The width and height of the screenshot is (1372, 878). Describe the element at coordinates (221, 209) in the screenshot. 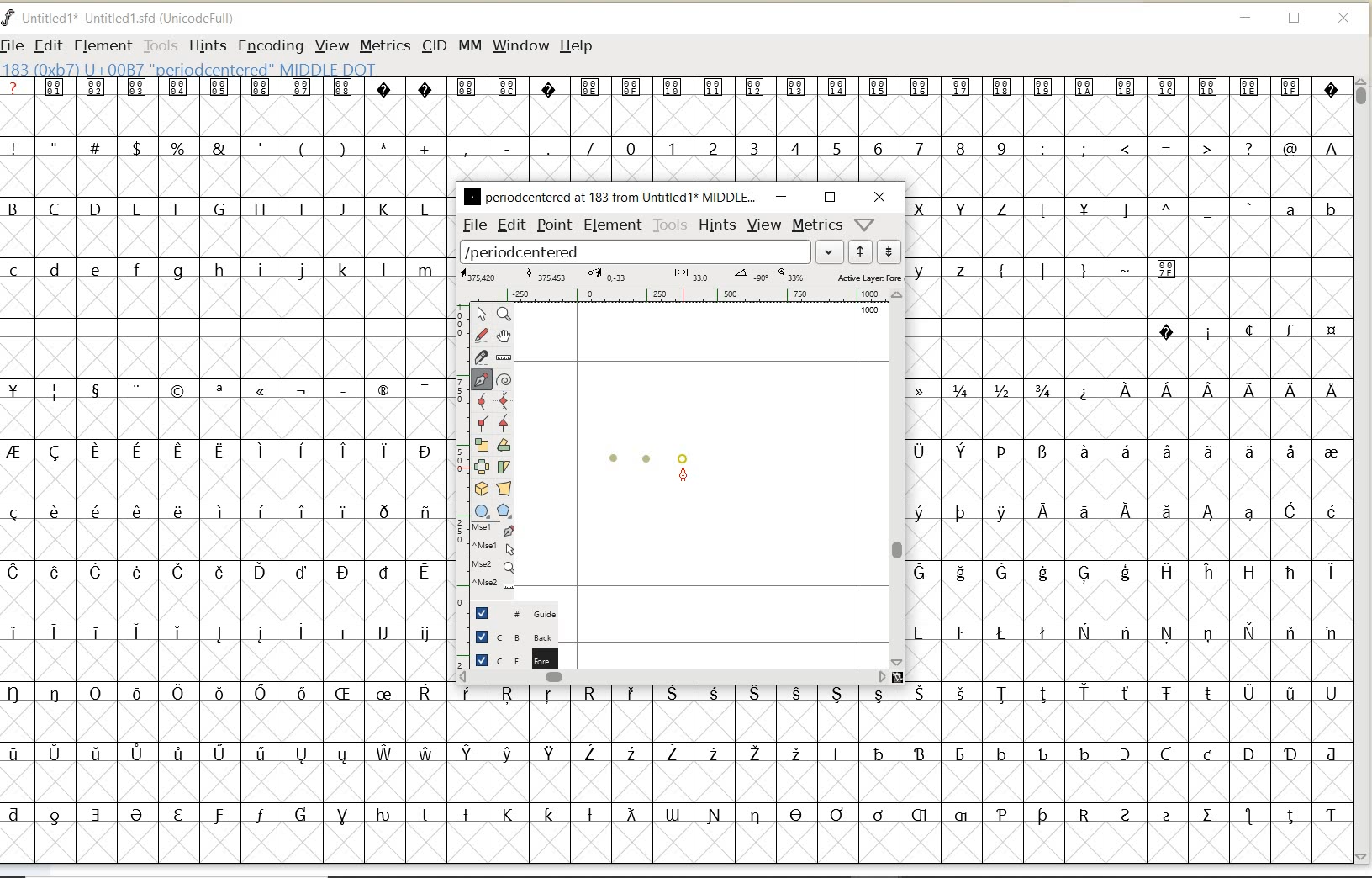

I see `uppercase letters` at that location.